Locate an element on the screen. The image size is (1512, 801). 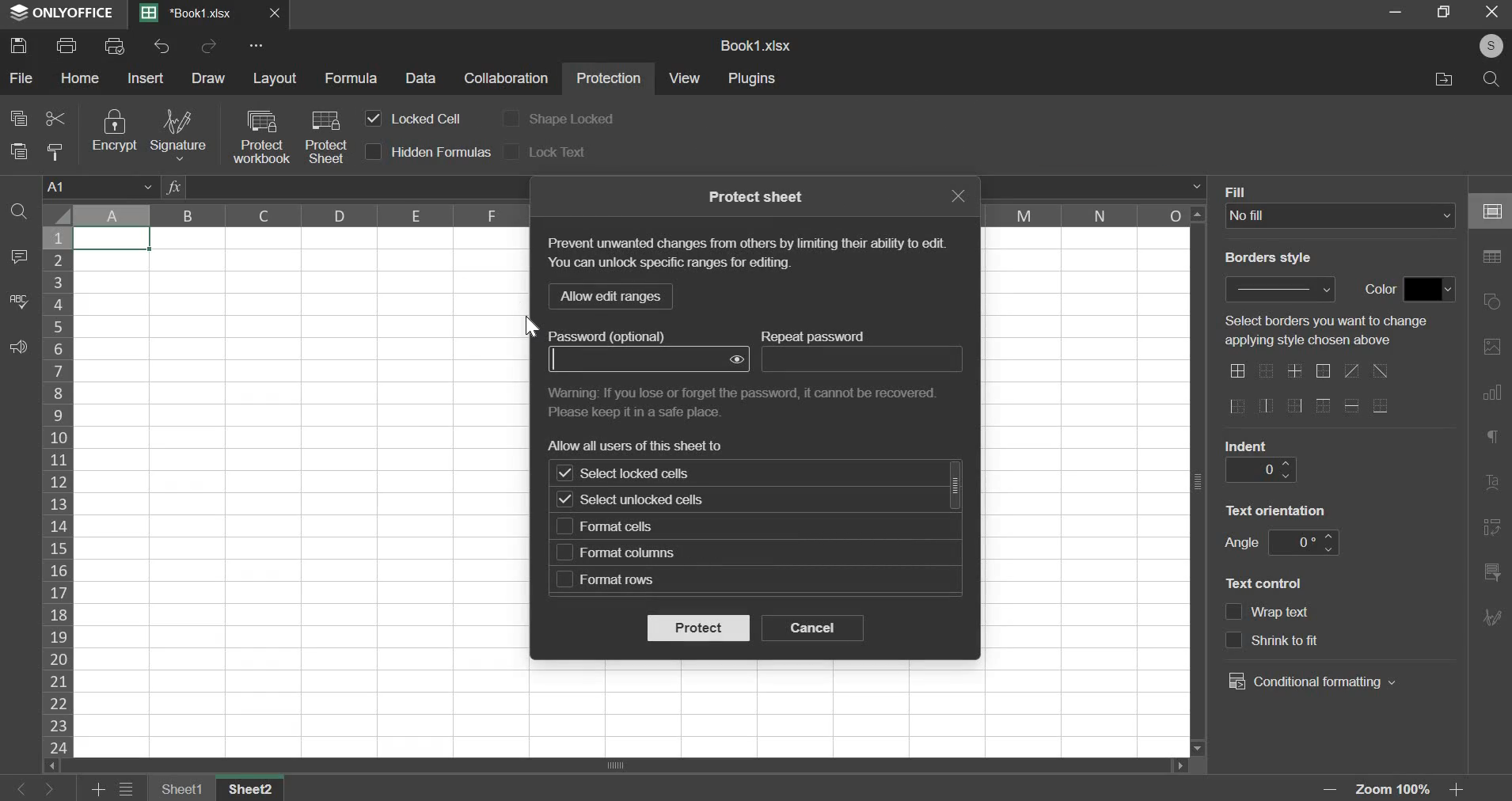
text is located at coordinates (817, 336).